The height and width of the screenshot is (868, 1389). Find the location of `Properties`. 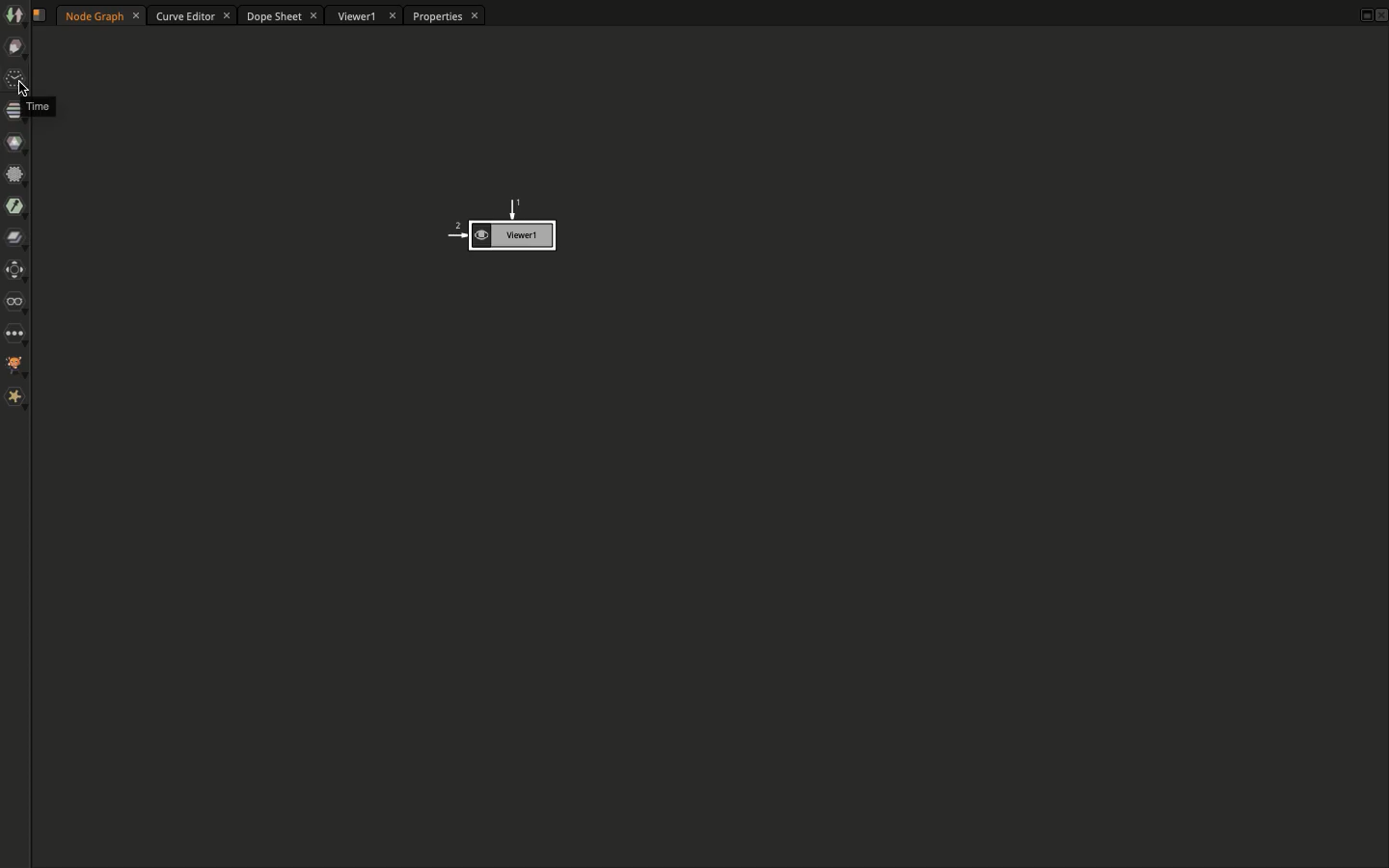

Properties is located at coordinates (442, 17).